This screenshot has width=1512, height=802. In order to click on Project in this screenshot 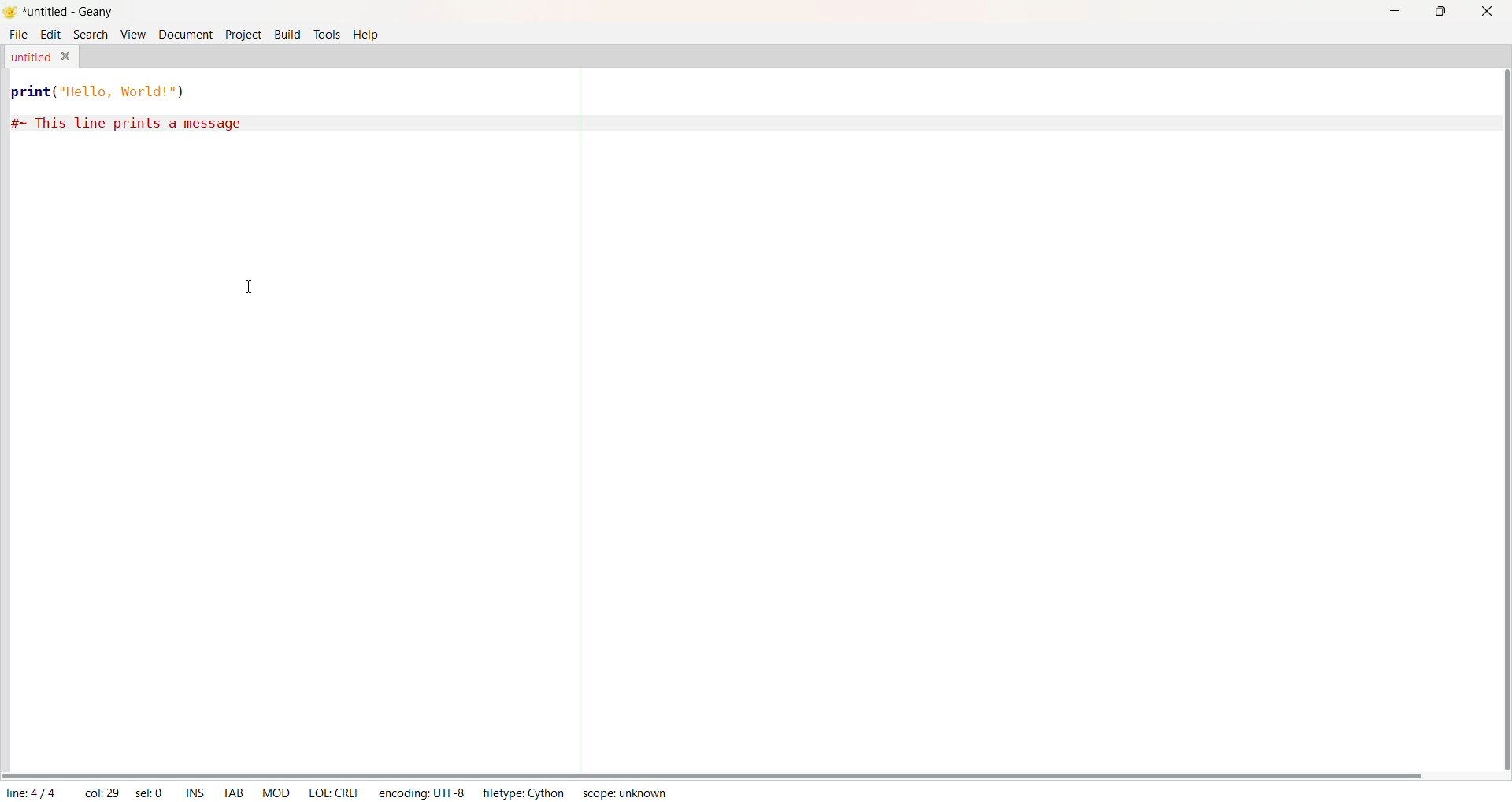, I will do `click(244, 37)`.